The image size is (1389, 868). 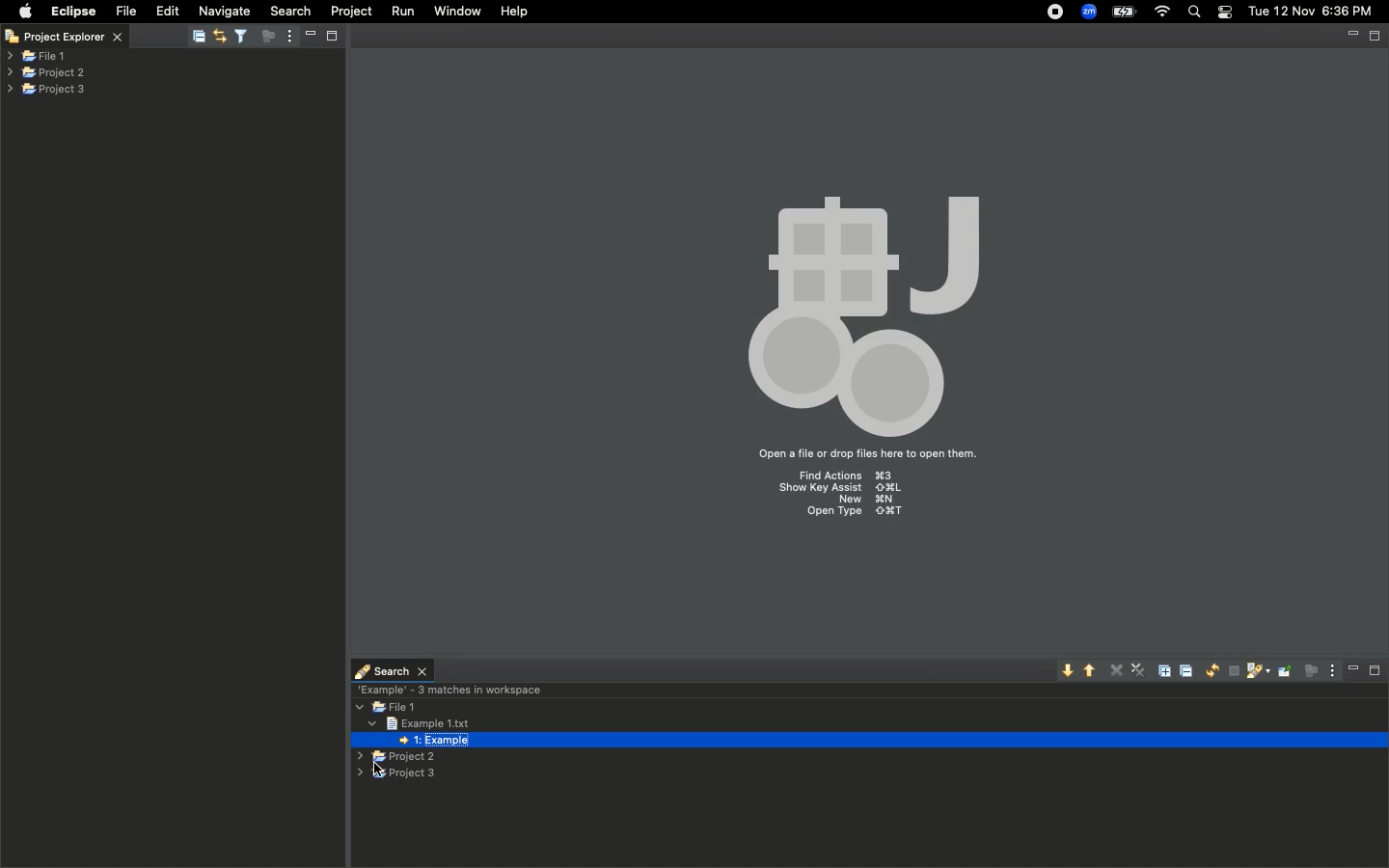 I want to click on Close, so click(x=12, y=39).